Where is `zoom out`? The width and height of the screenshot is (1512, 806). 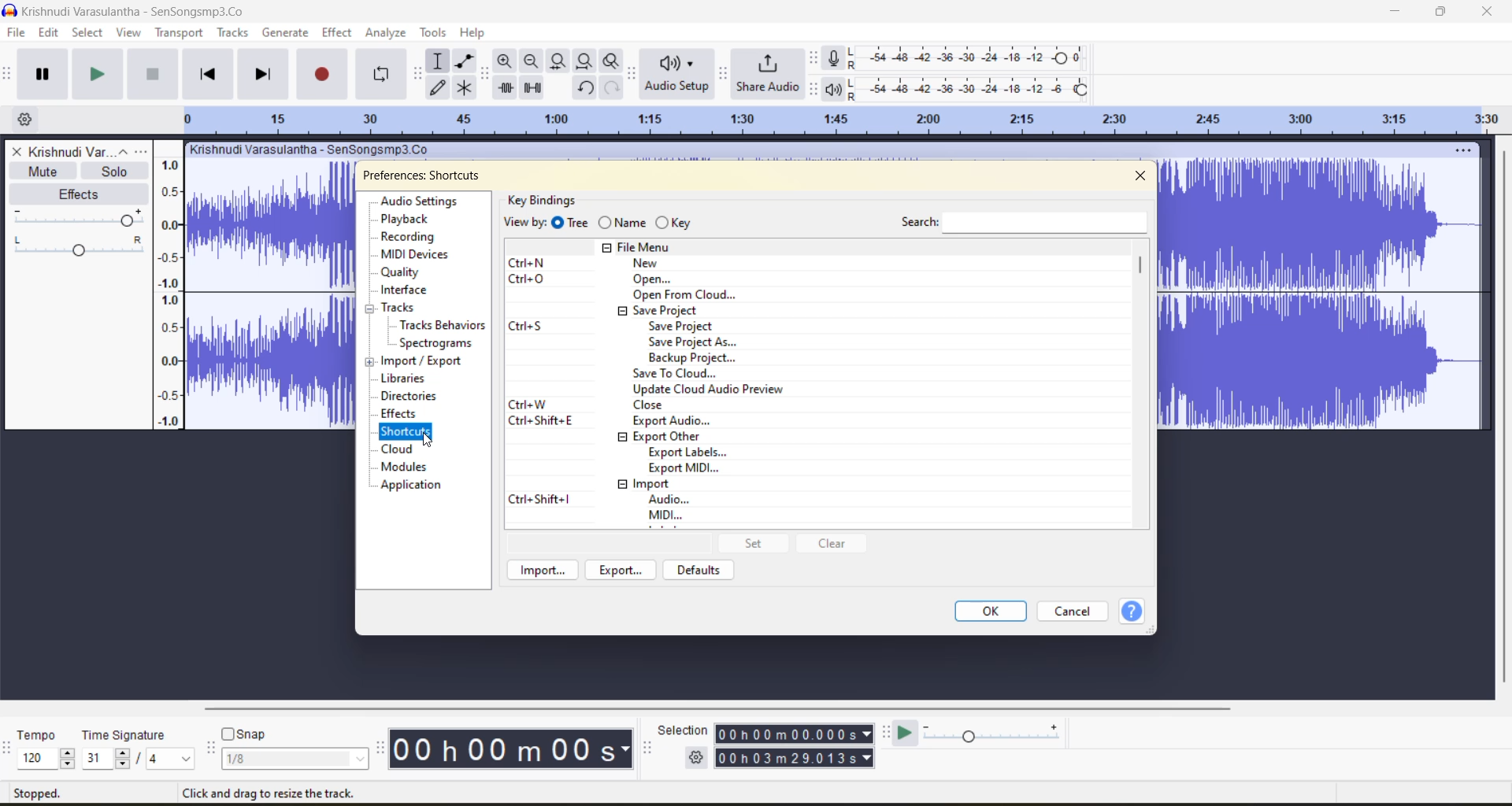
zoom out is located at coordinates (530, 61).